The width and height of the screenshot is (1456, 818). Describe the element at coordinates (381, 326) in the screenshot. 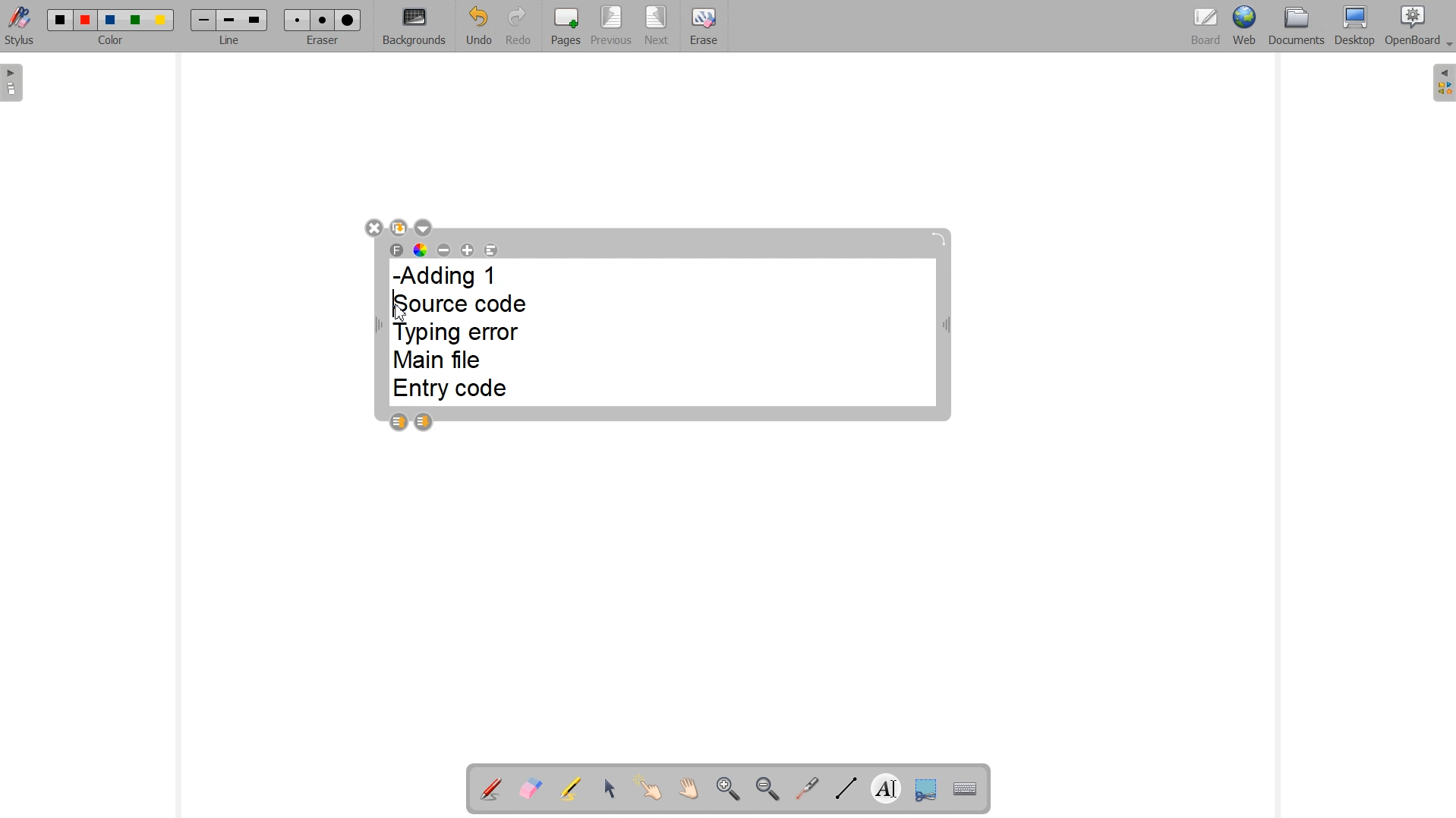

I see `Width Adjustable` at that location.